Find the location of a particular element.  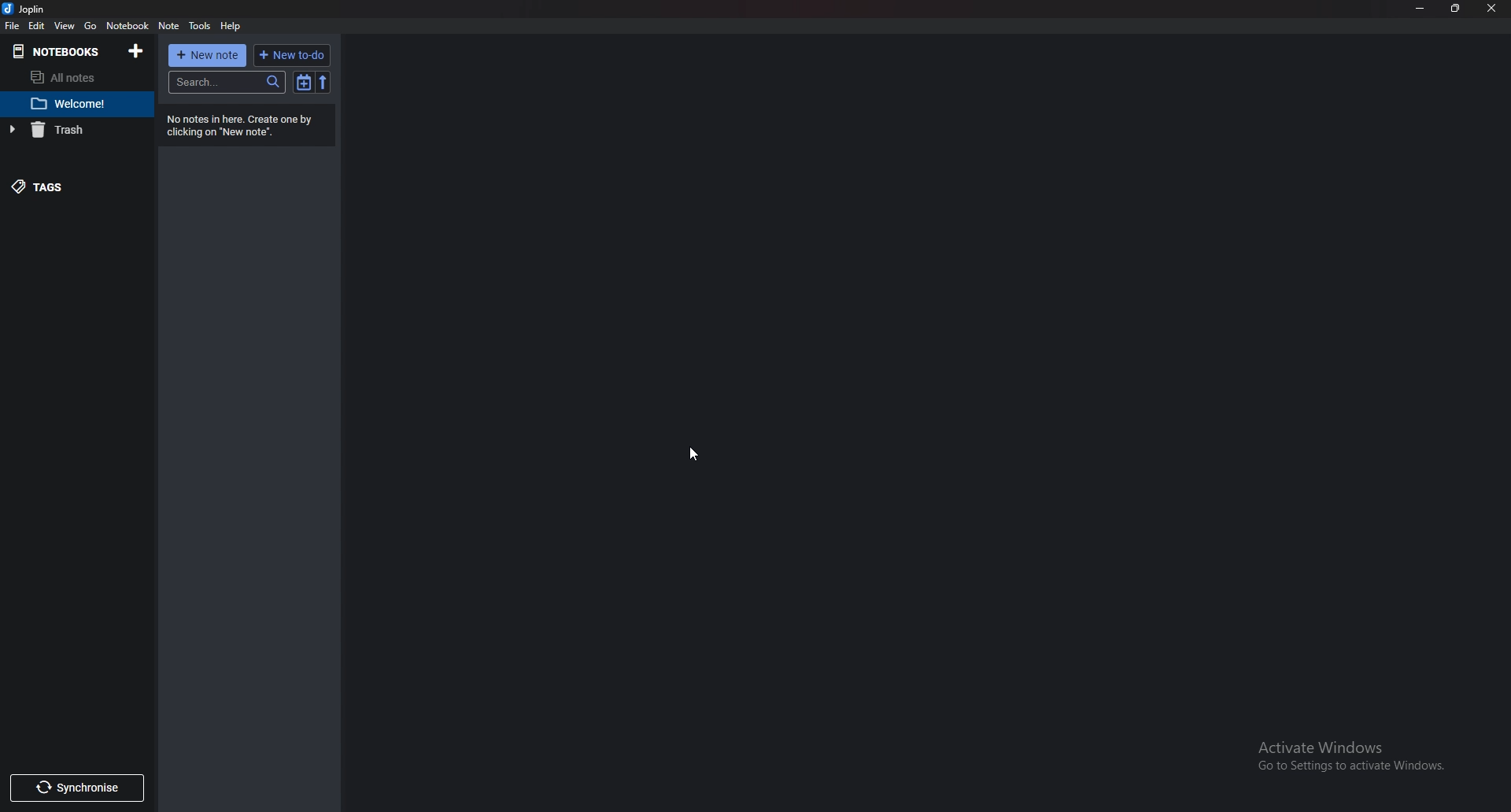

Cursor is located at coordinates (694, 453).